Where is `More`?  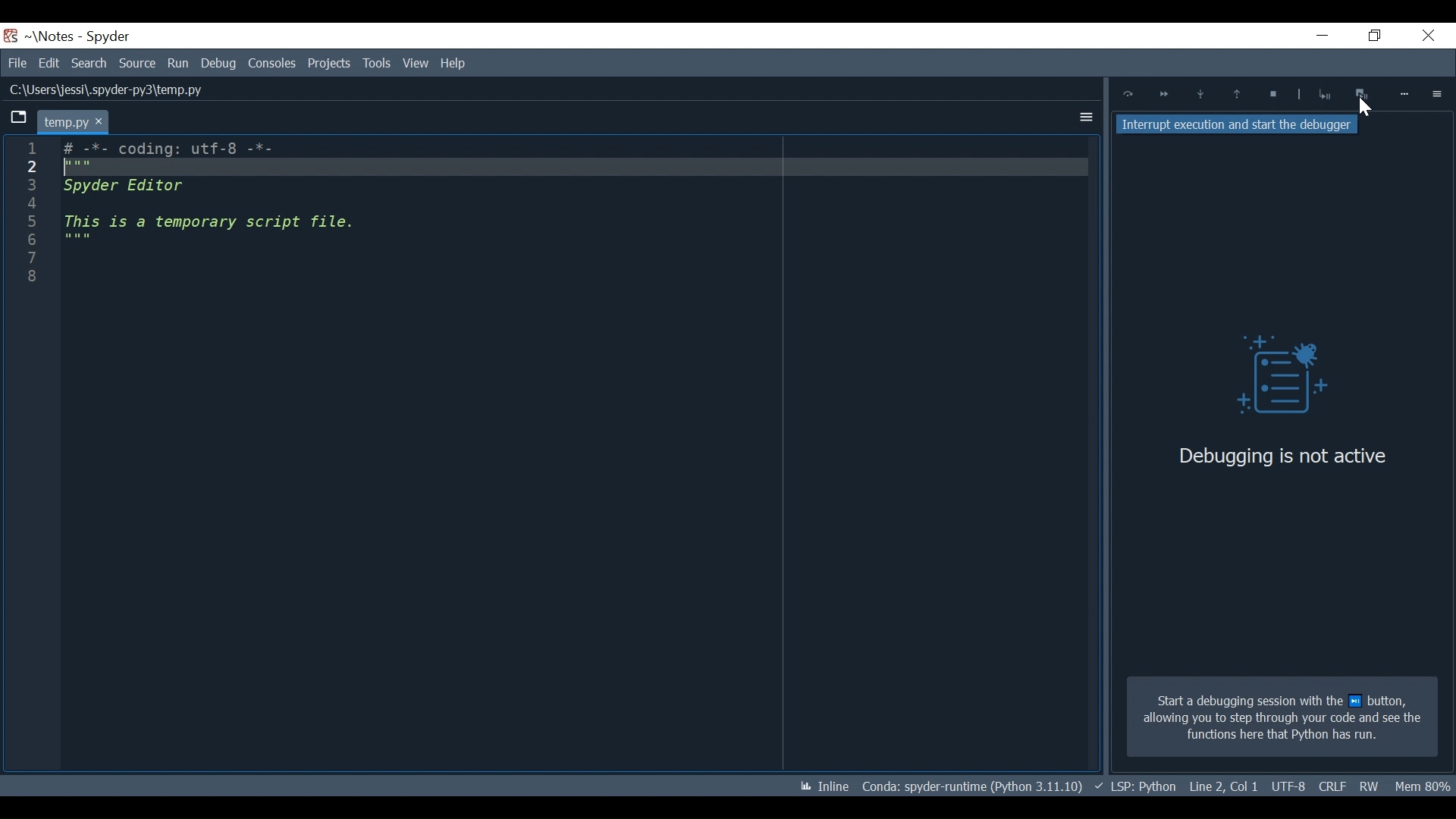 More is located at coordinates (1405, 94).